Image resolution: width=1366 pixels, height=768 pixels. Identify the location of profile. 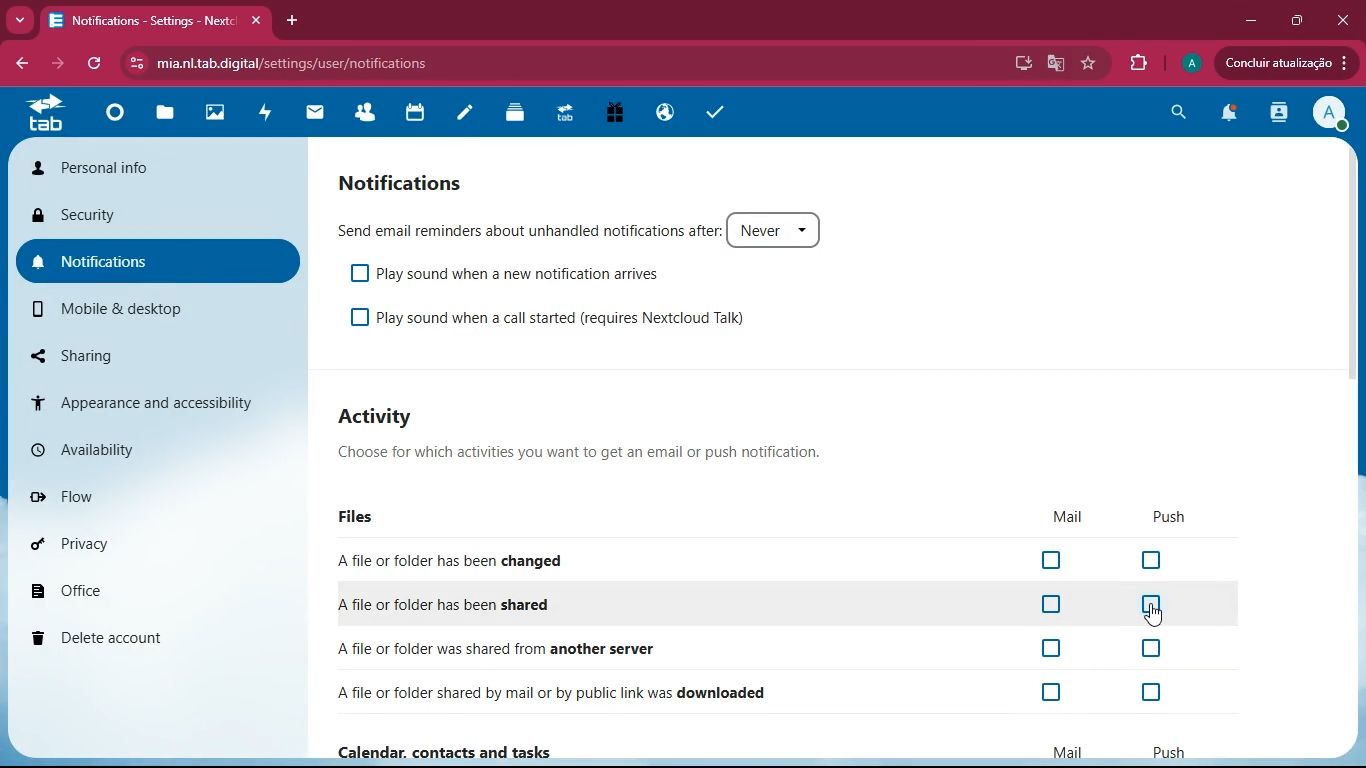
(1188, 63).